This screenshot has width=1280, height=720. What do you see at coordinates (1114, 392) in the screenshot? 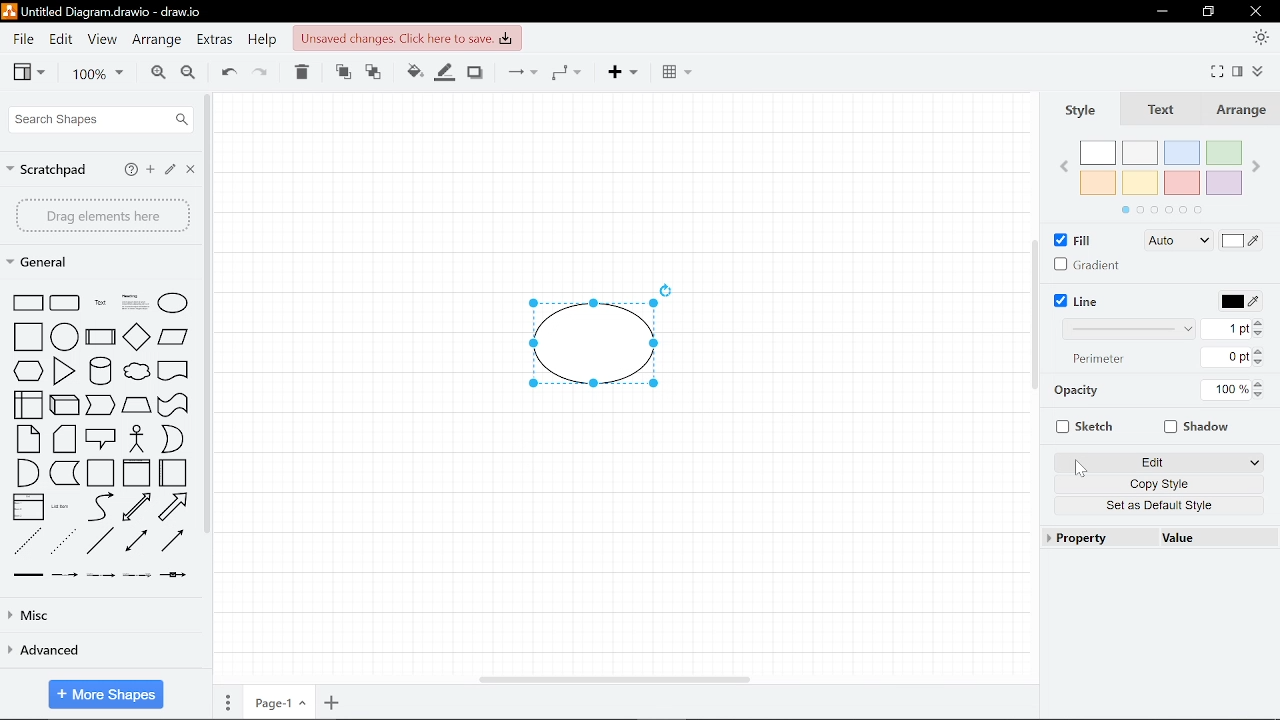
I see `Opacity` at bounding box center [1114, 392].